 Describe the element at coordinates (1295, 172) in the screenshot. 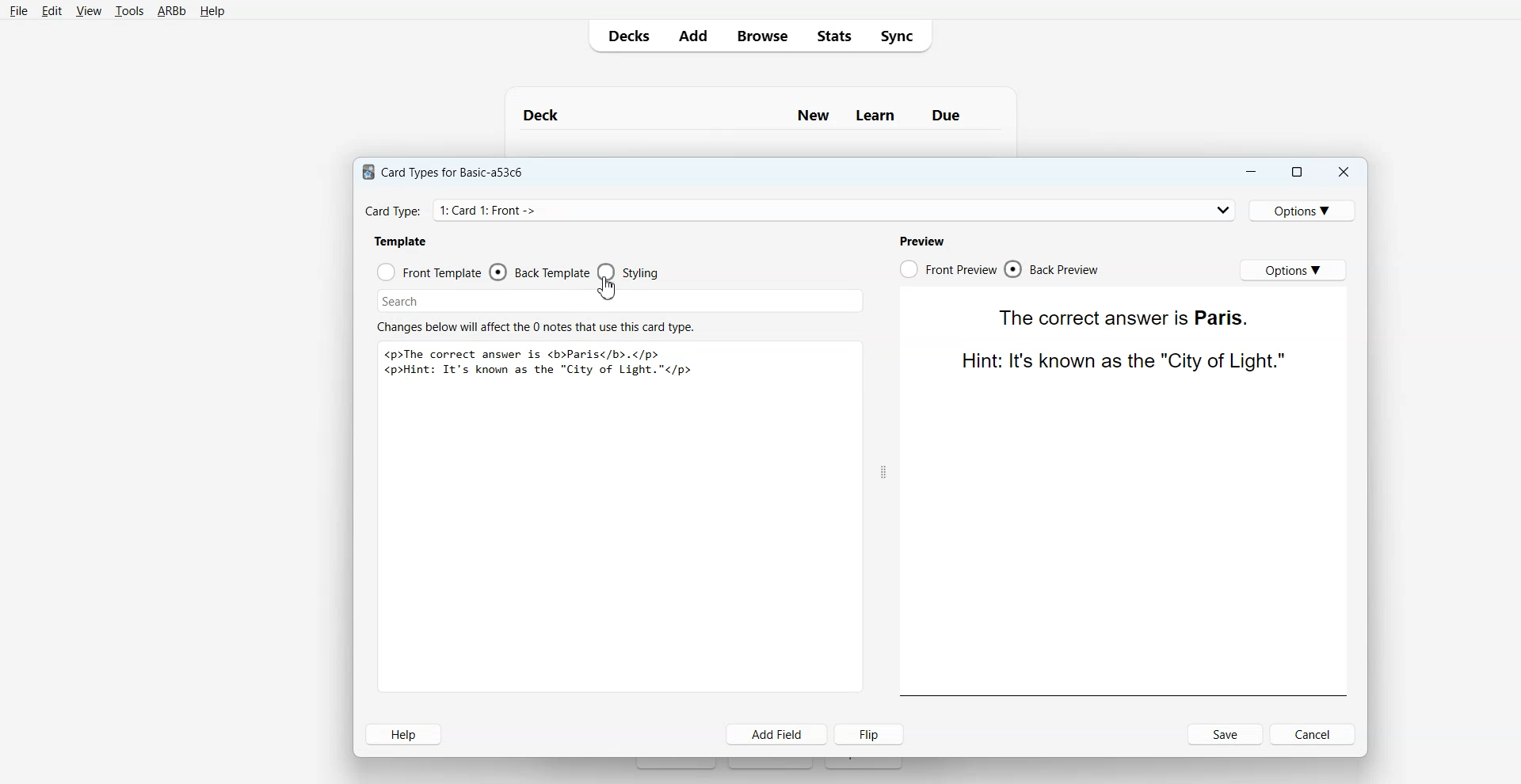

I see `Maximize` at that location.